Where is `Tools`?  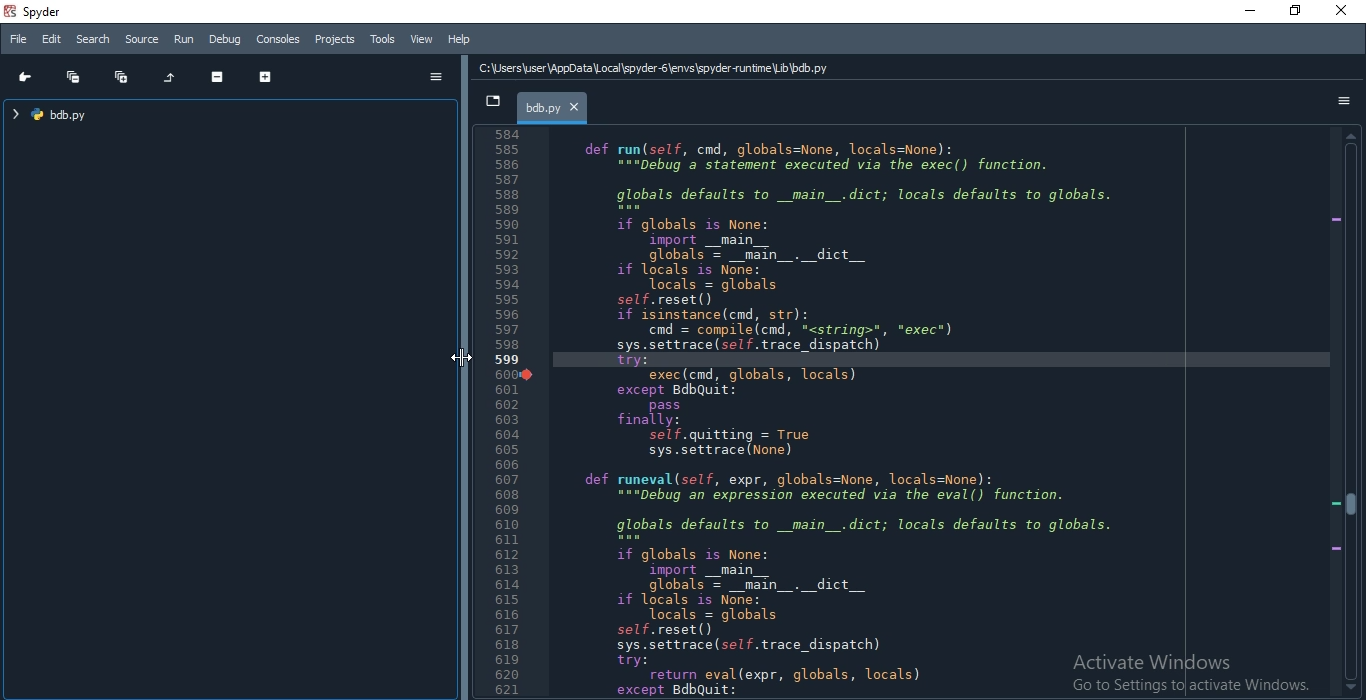 Tools is located at coordinates (383, 39).